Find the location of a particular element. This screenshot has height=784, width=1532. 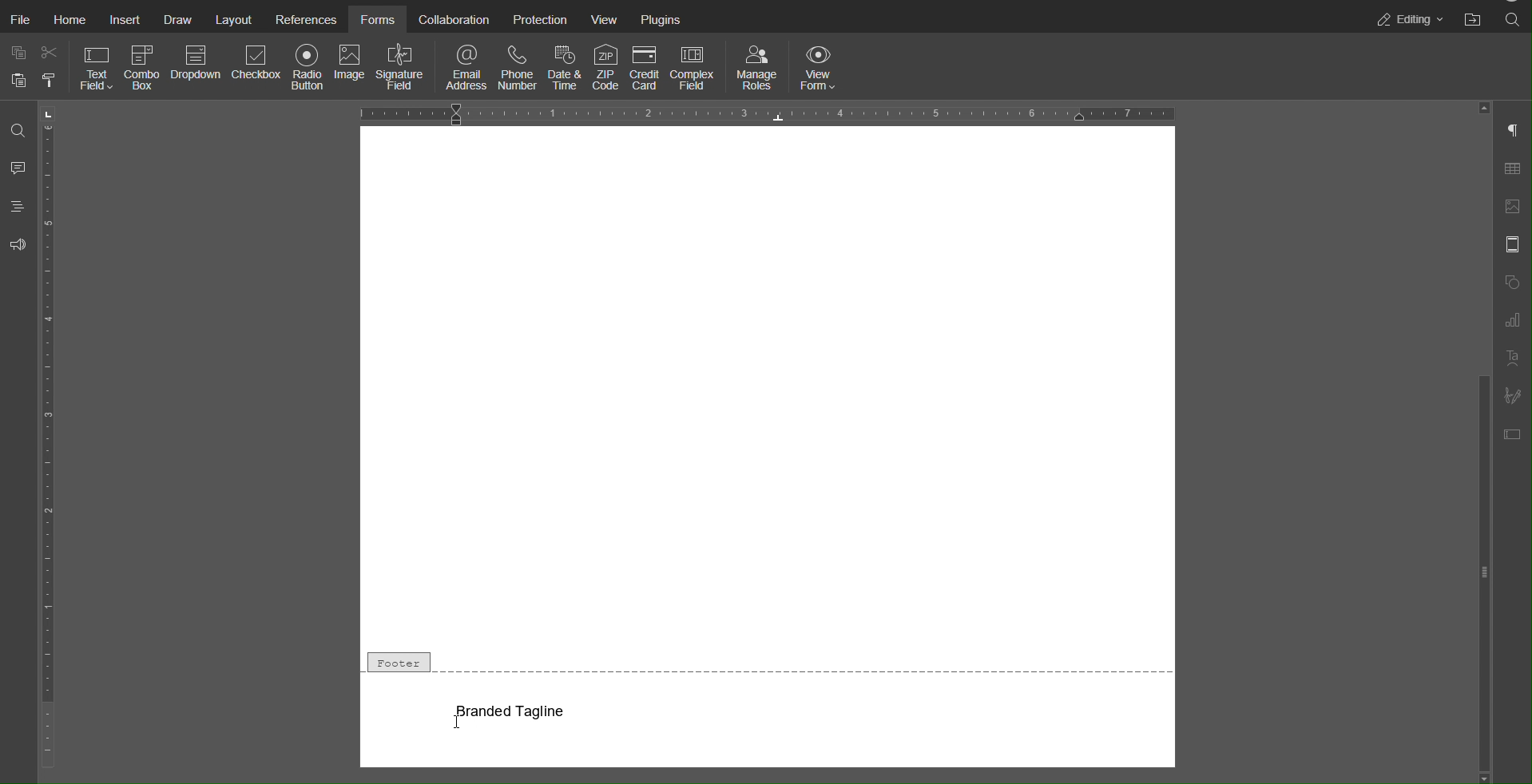

Shape Settings is located at coordinates (1512, 283).